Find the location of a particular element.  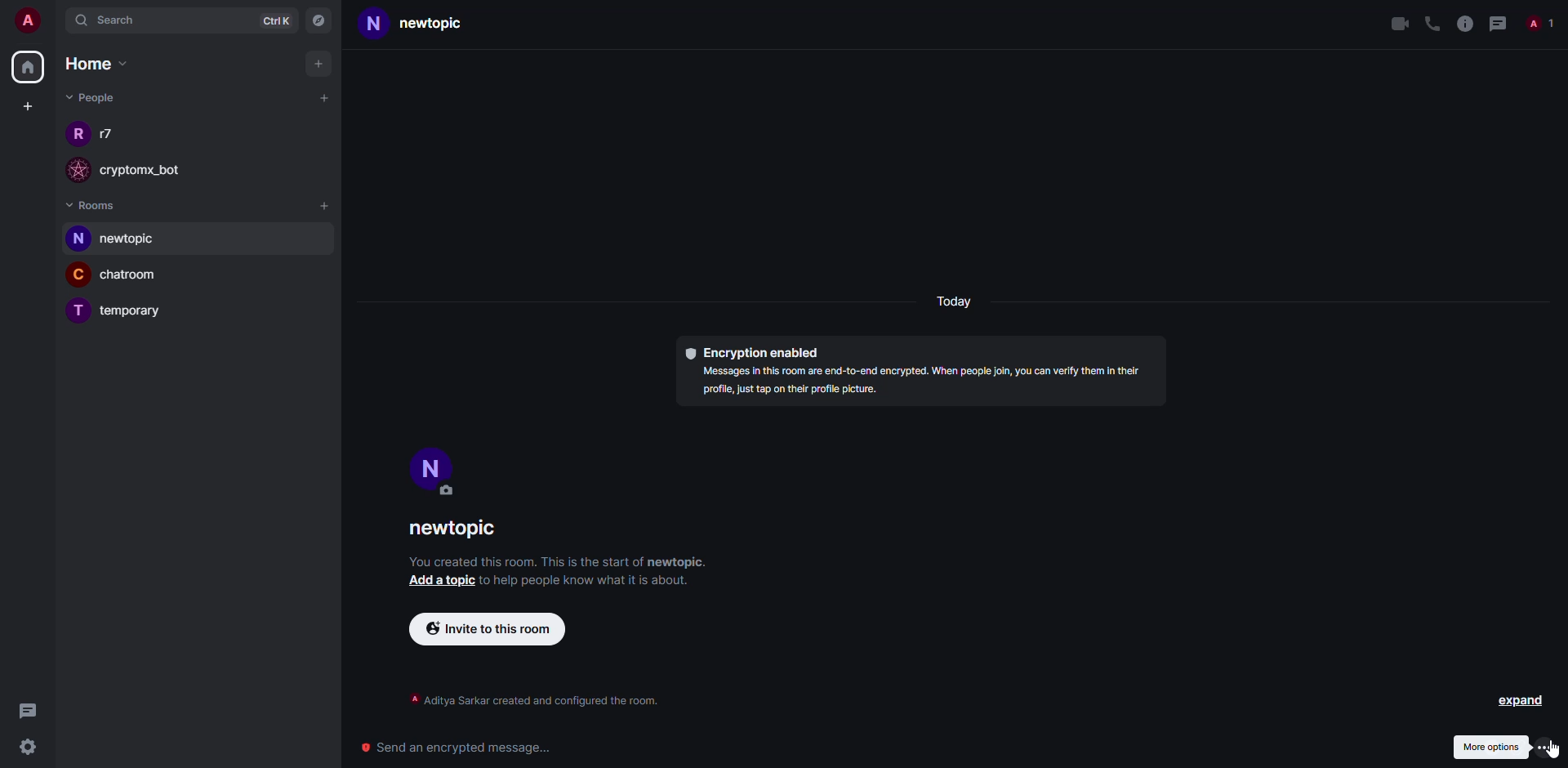

invite is located at coordinates (491, 627).